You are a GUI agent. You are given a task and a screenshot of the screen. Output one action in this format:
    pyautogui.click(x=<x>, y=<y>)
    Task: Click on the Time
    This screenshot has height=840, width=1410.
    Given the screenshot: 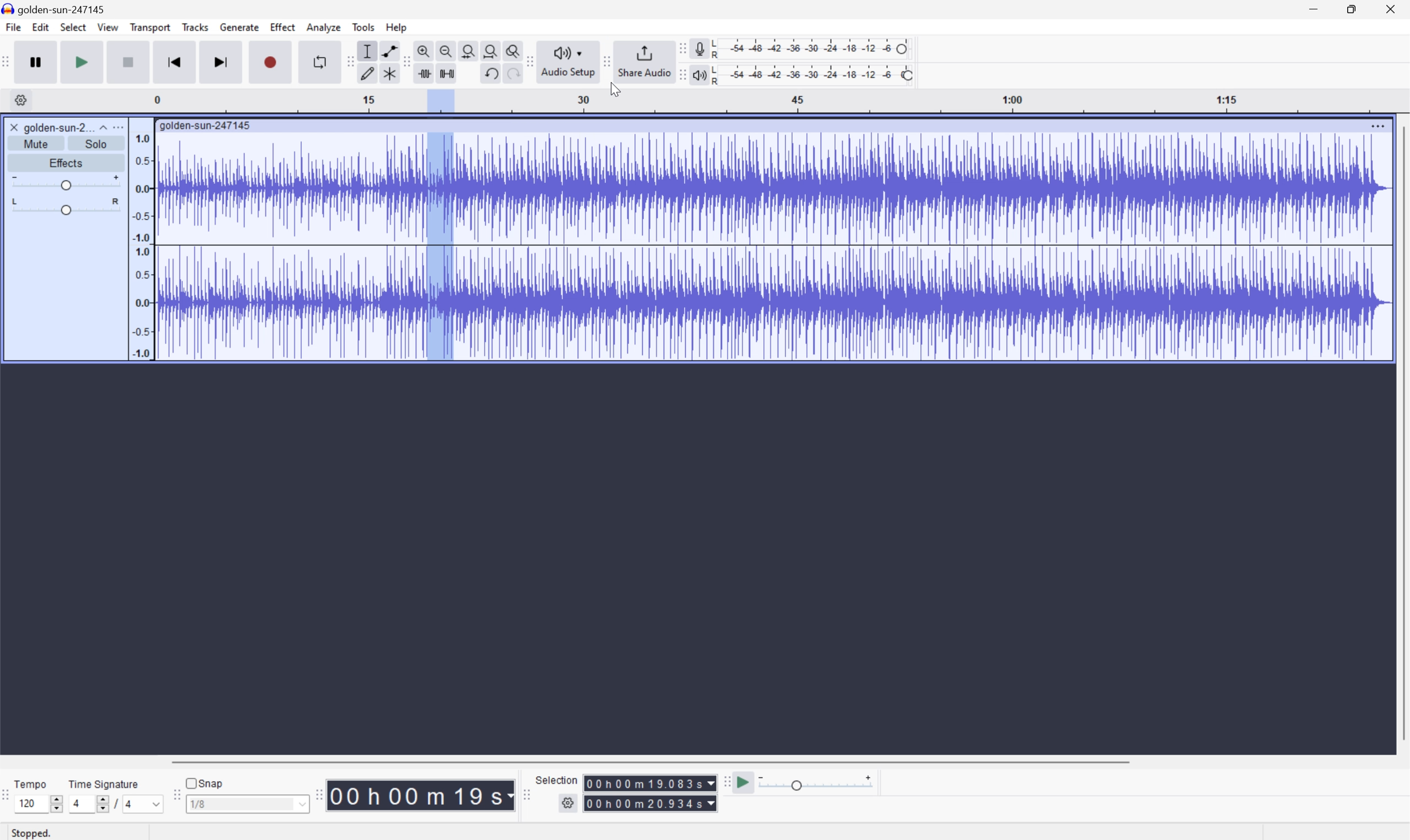 What is the action you would take?
    pyautogui.click(x=421, y=794)
    